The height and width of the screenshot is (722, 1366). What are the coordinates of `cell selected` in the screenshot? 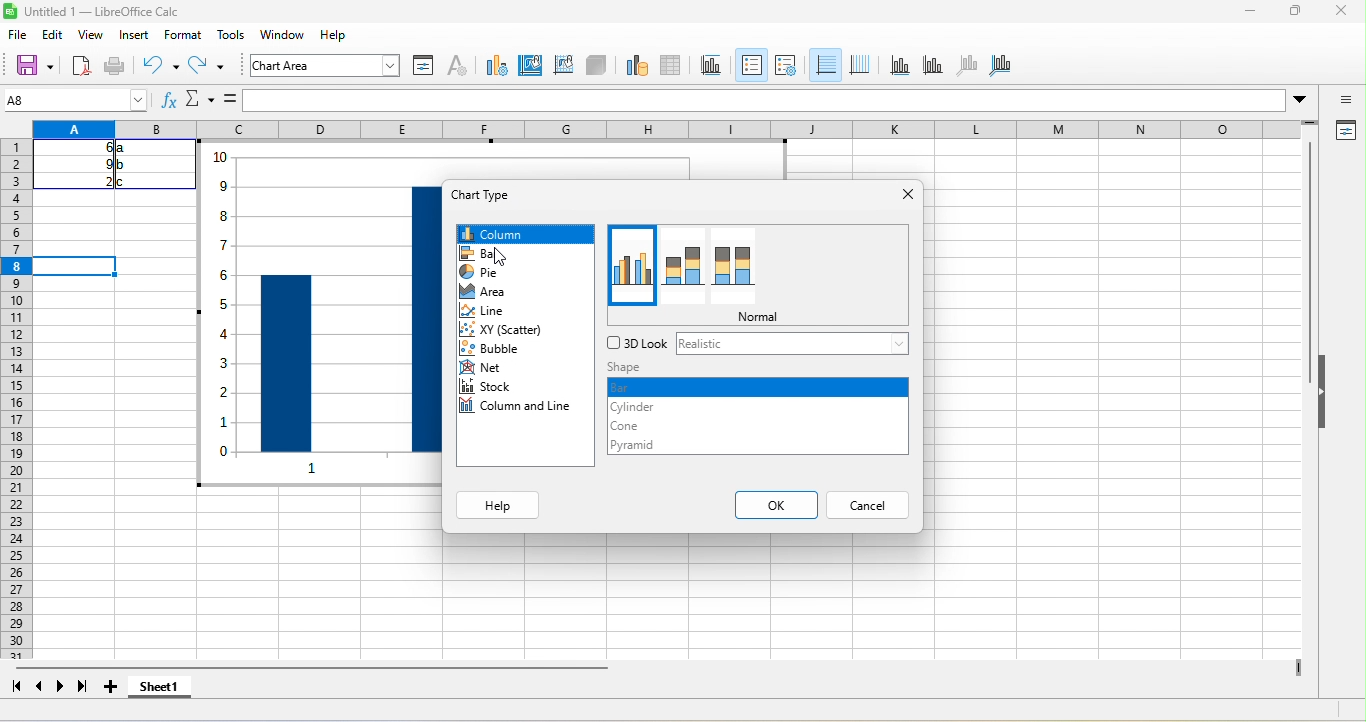 It's located at (78, 266).